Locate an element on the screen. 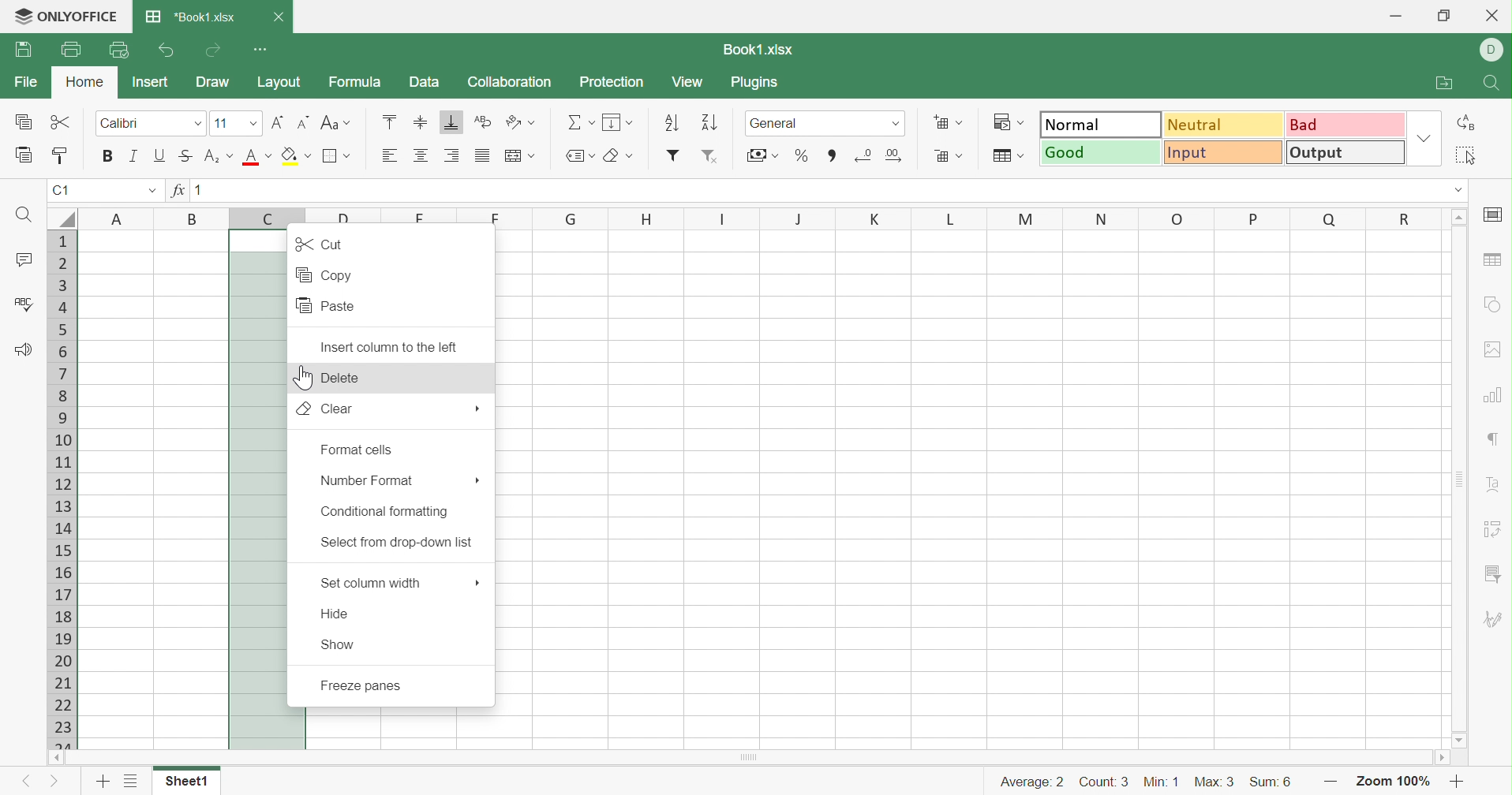 This screenshot has width=1512, height=795. Slicer settings is located at coordinates (1491, 574).